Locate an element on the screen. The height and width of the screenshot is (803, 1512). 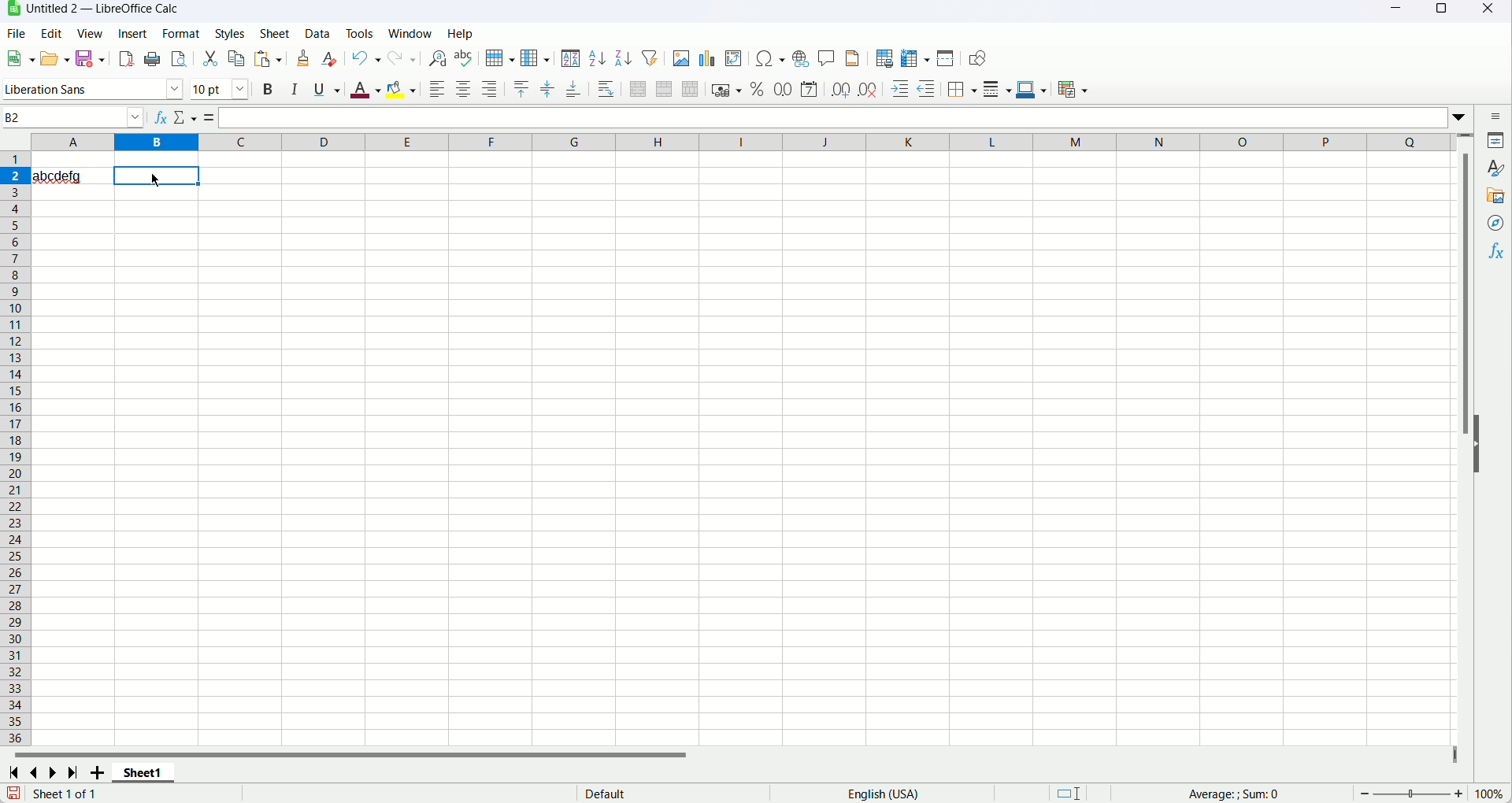
print preview is located at coordinates (177, 59).